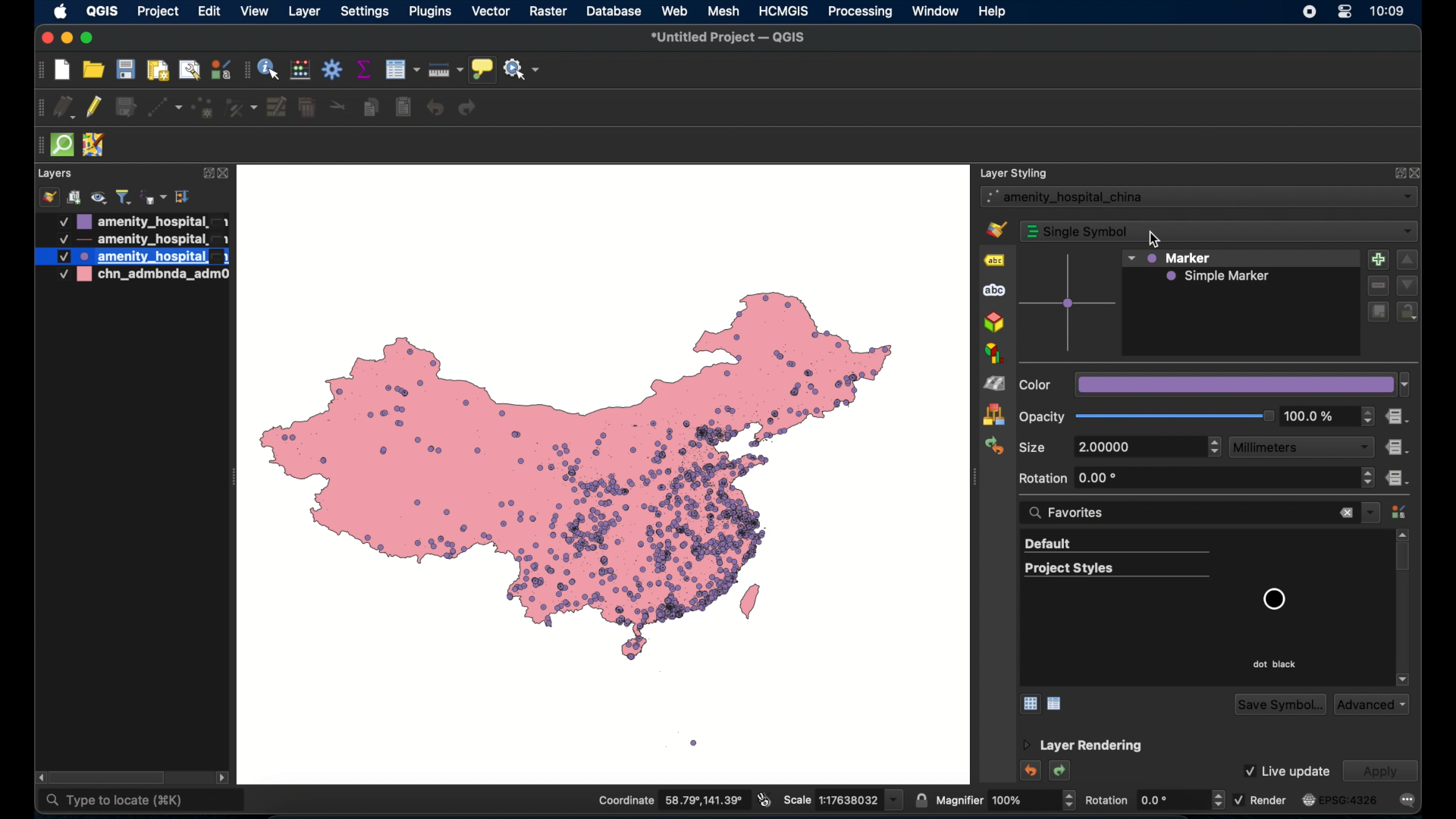 This screenshot has width=1456, height=819. I want to click on rotation stepper buttons, so click(1197, 479).